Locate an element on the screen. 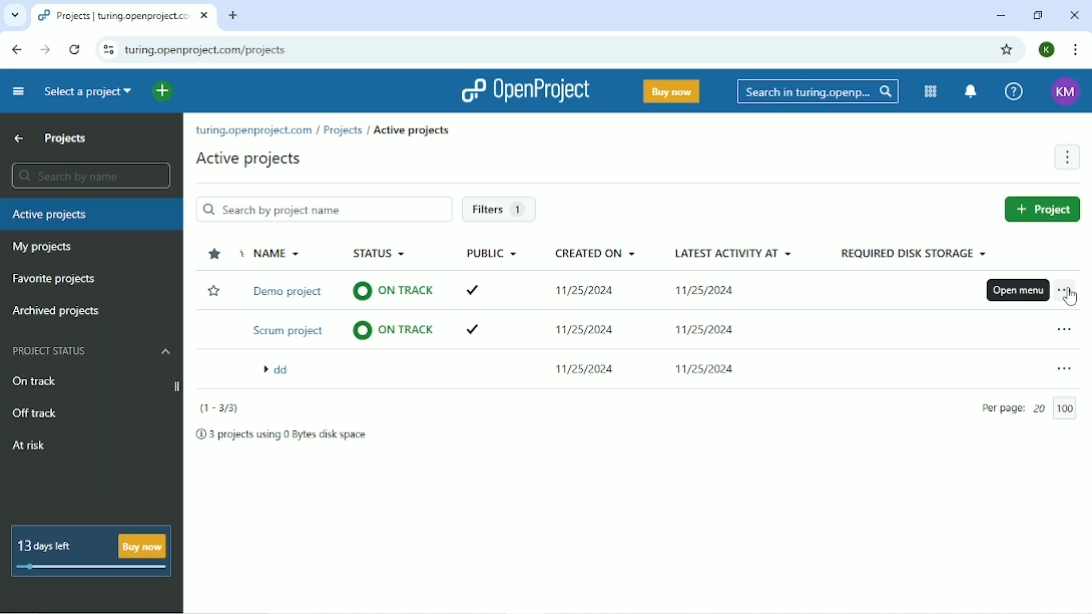 The width and height of the screenshot is (1092, 614). 11/25/2024 is located at coordinates (705, 371).